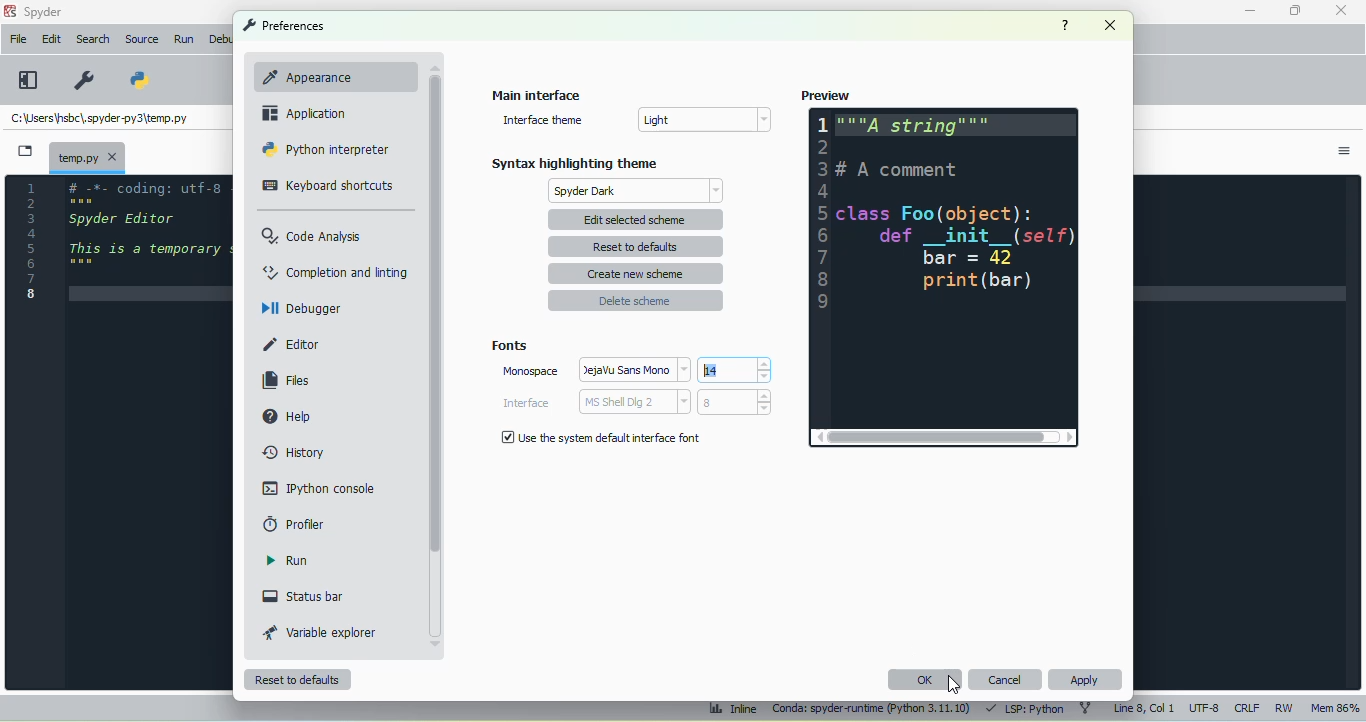  I want to click on keyboard shortcuts, so click(328, 186).